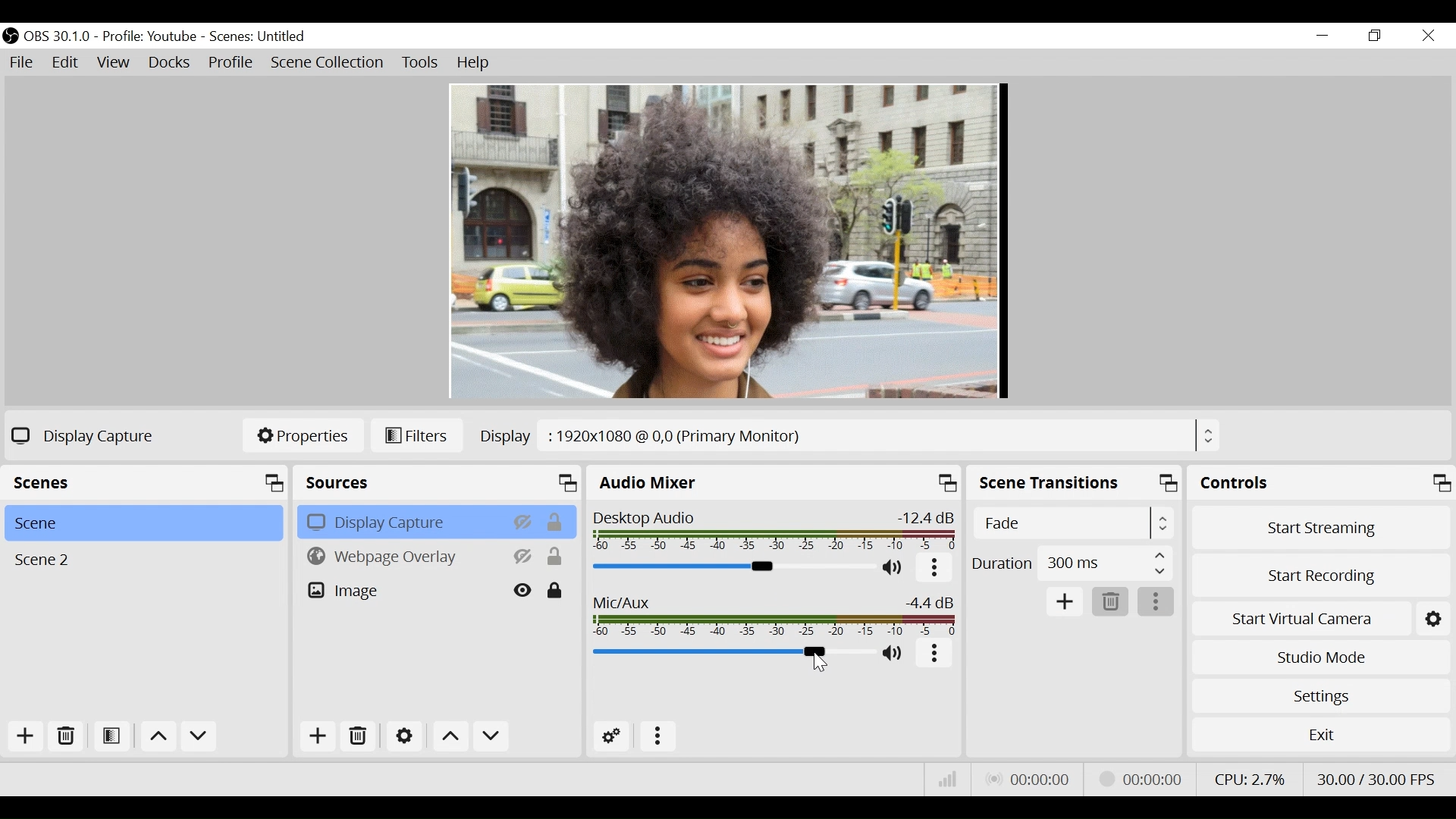  What do you see at coordinates (777, 482) in the screenshot?
I see `Audio Mixer` at bounding box center [777, 482].